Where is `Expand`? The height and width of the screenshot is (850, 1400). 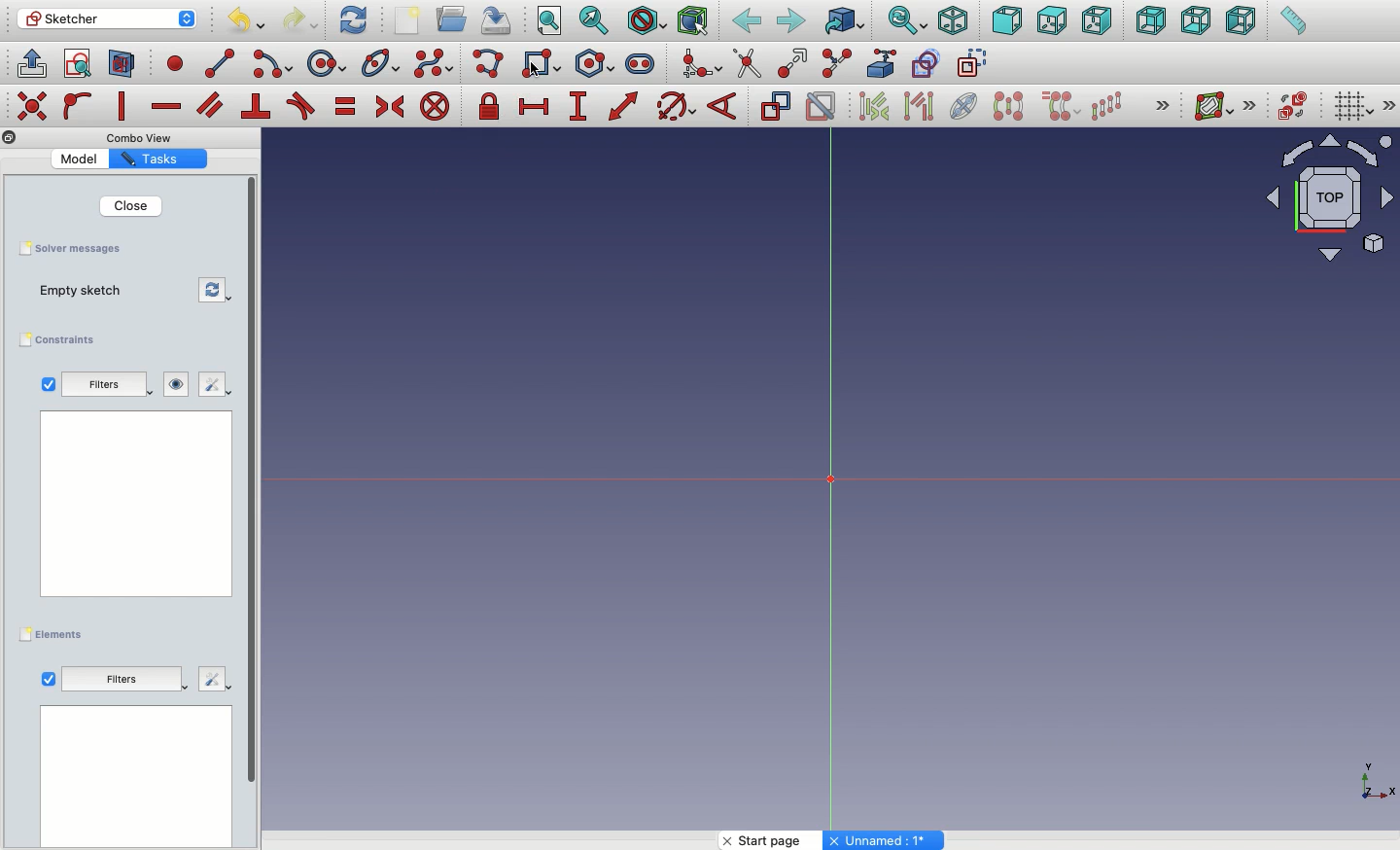
Expand is located at coordinates (1163, 107).